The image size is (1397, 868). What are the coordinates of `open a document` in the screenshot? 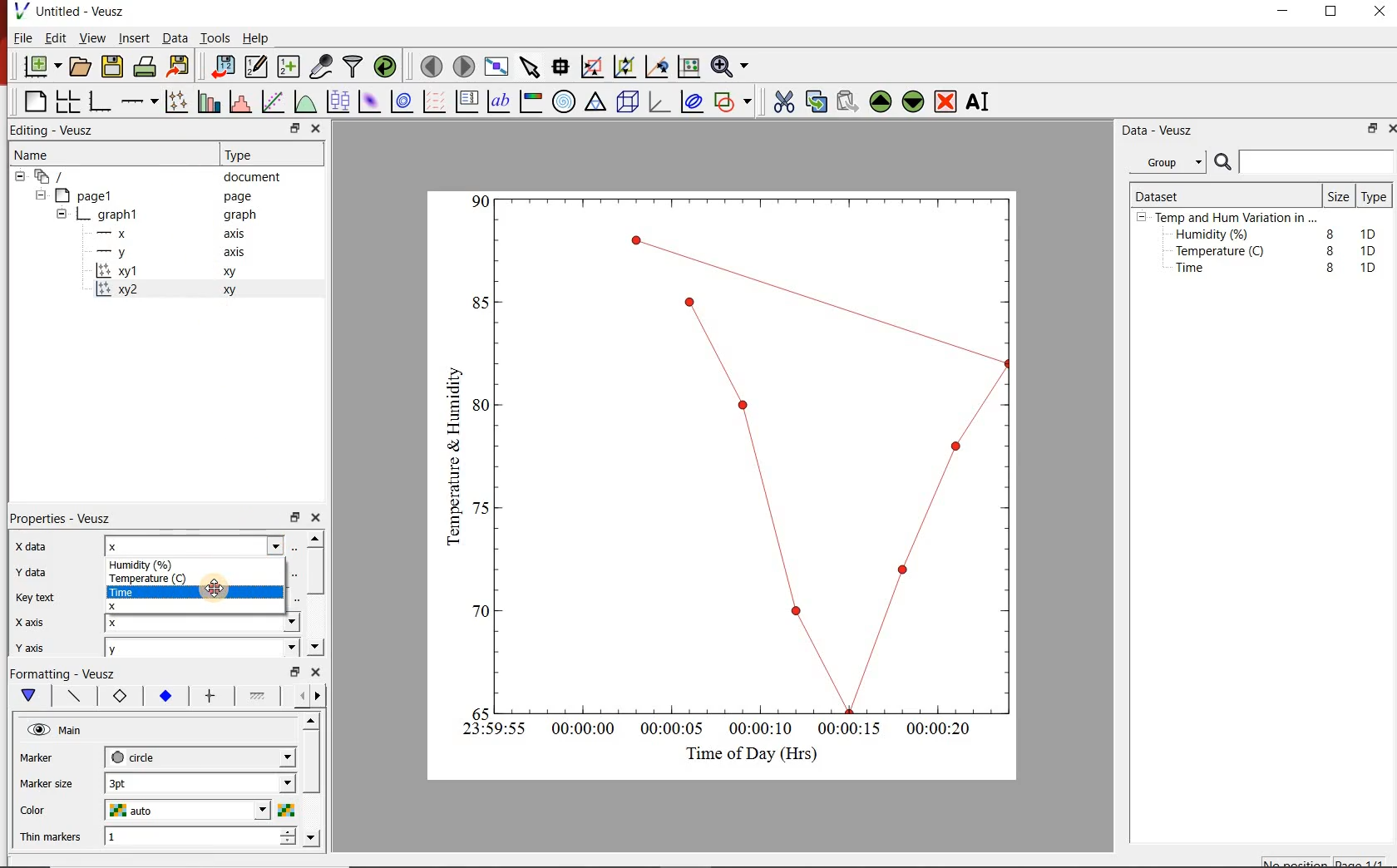 It's located at (81, 67).